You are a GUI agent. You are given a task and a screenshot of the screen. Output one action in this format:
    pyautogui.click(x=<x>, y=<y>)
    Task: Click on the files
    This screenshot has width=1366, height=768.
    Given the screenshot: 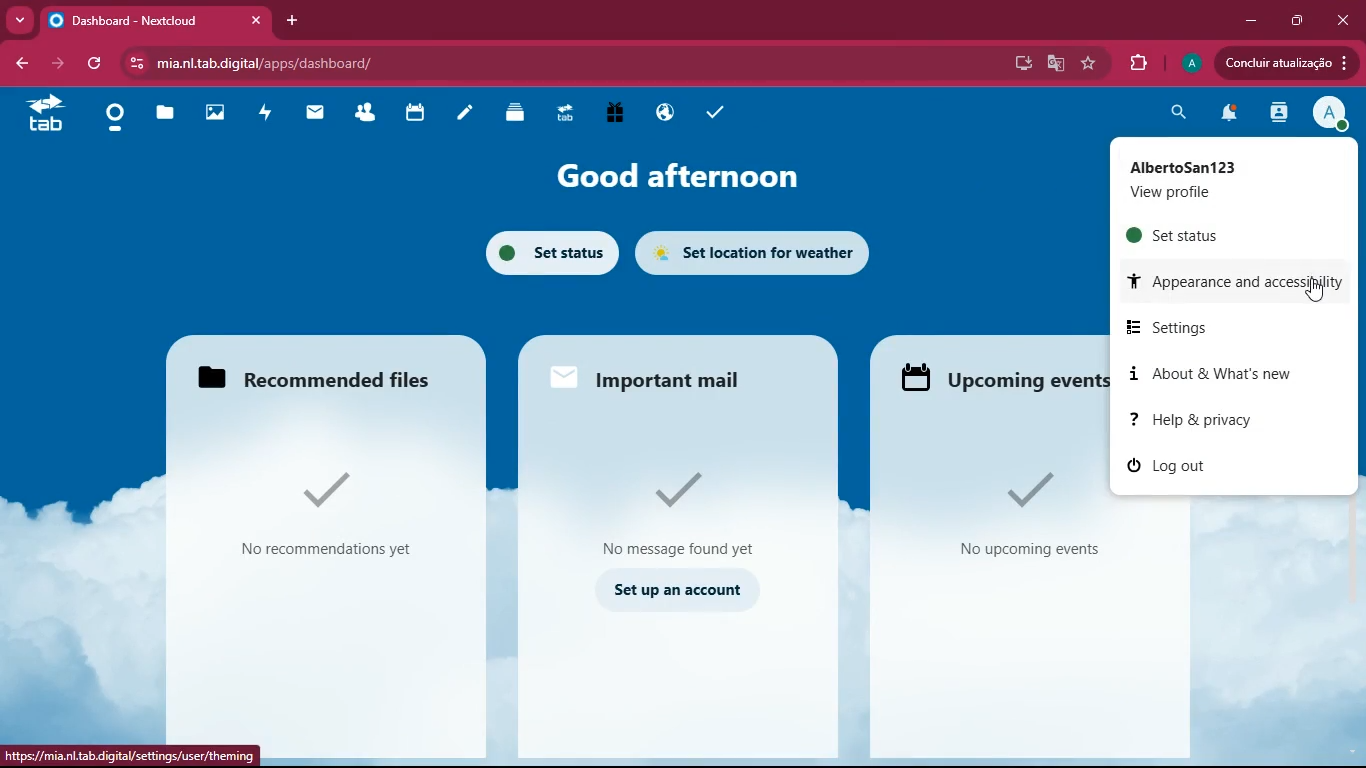 What is the action you would take?
    pyautogui.click(x=170, y=114)
    